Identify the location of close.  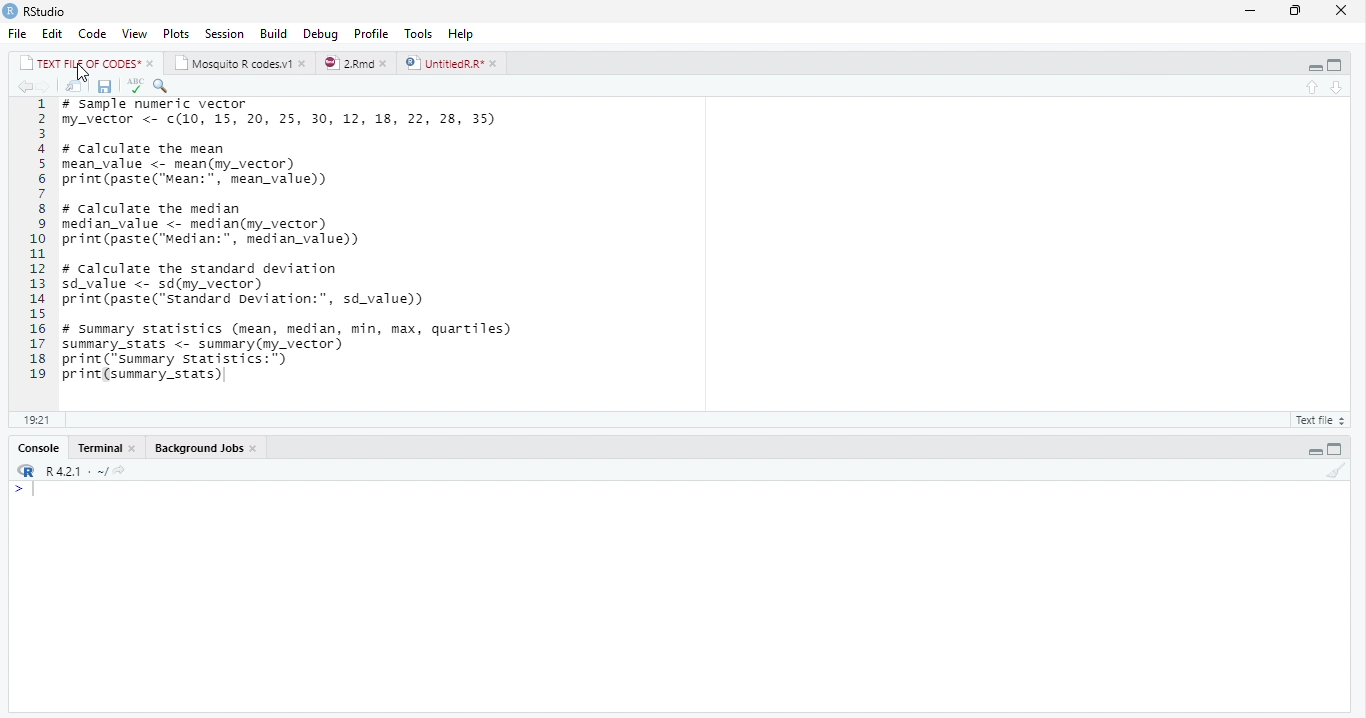
(152, 64).